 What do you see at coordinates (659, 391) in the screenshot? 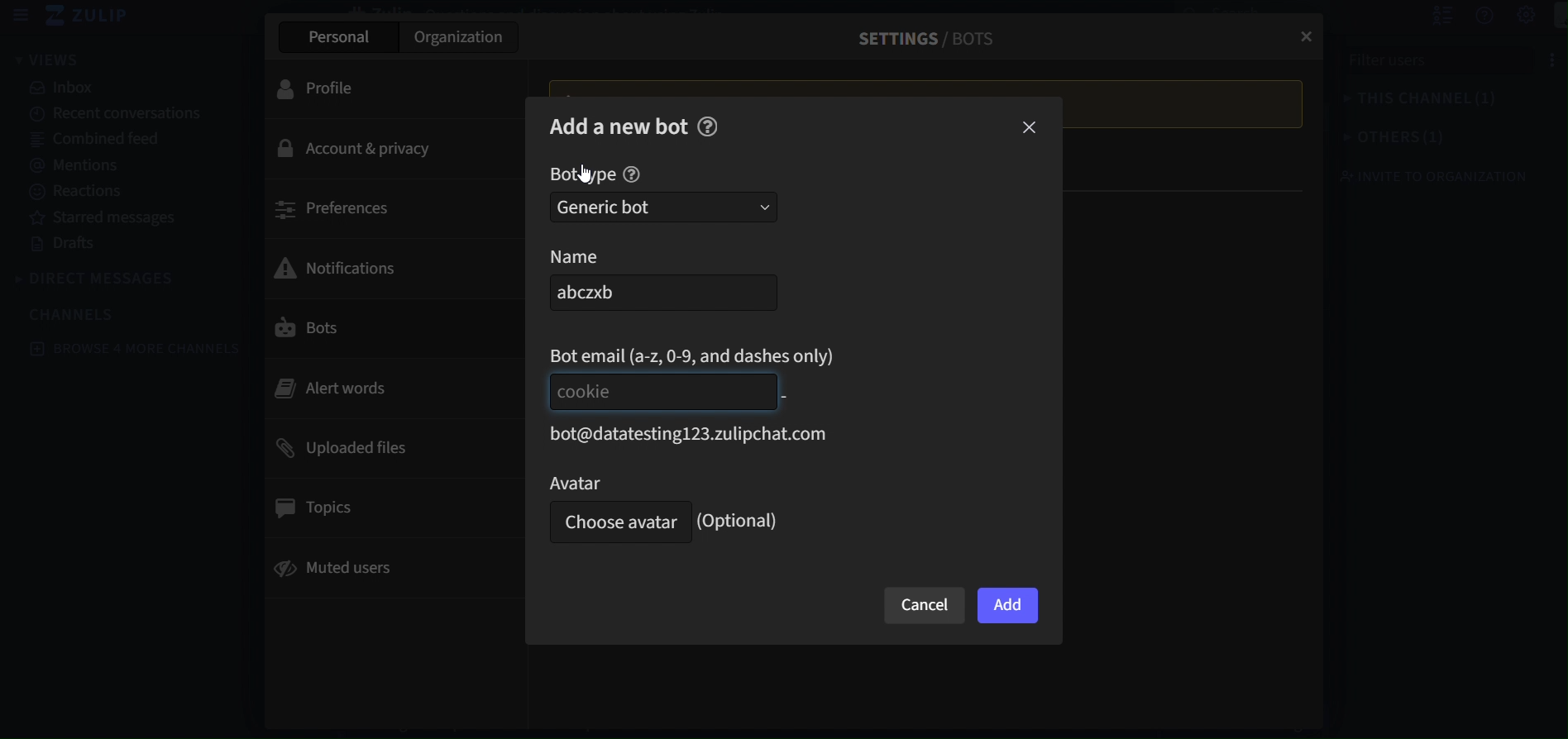
I see `Cookie` at bounding box center [659, 391].